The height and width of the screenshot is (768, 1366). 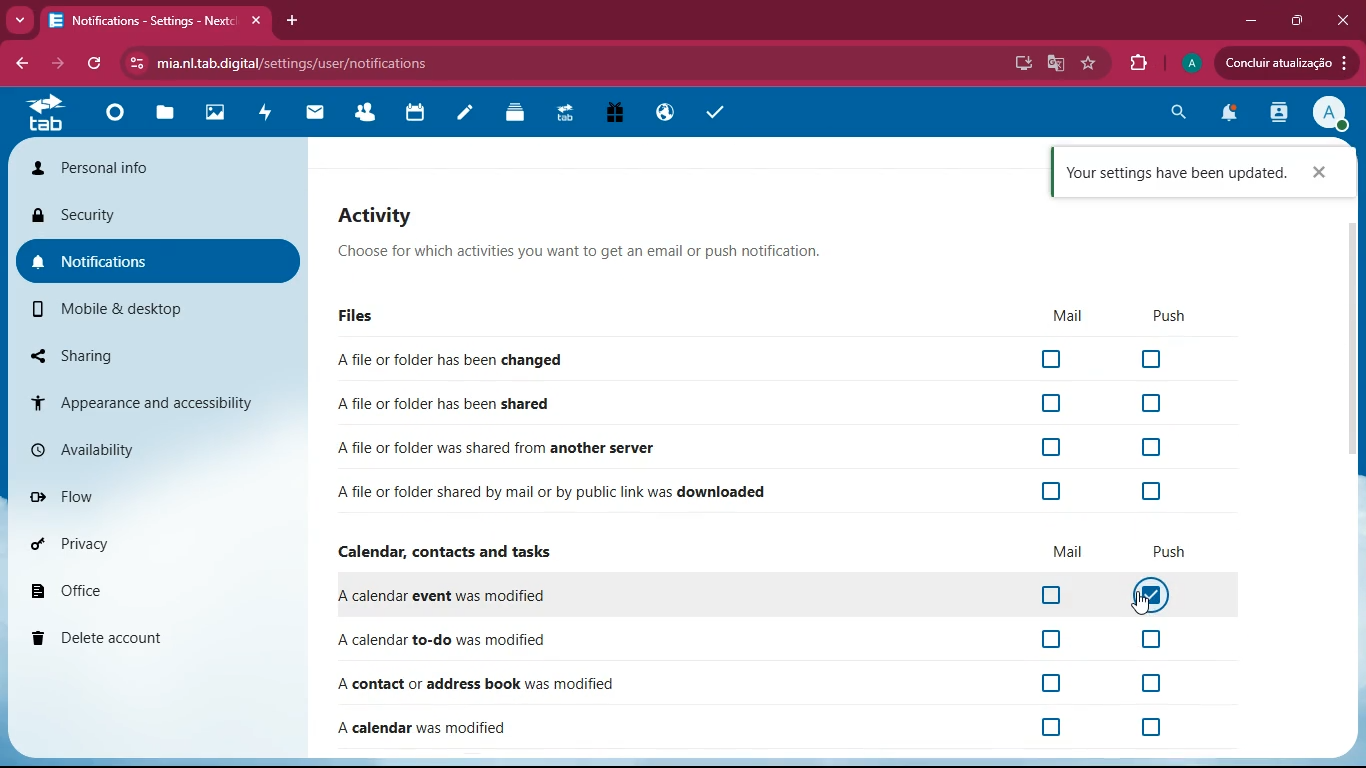 What do you see at coordinates (156, 19) in the screenshot?
I see `Notifications - Settings - Nextcloud` at bounding box center [156, 19].